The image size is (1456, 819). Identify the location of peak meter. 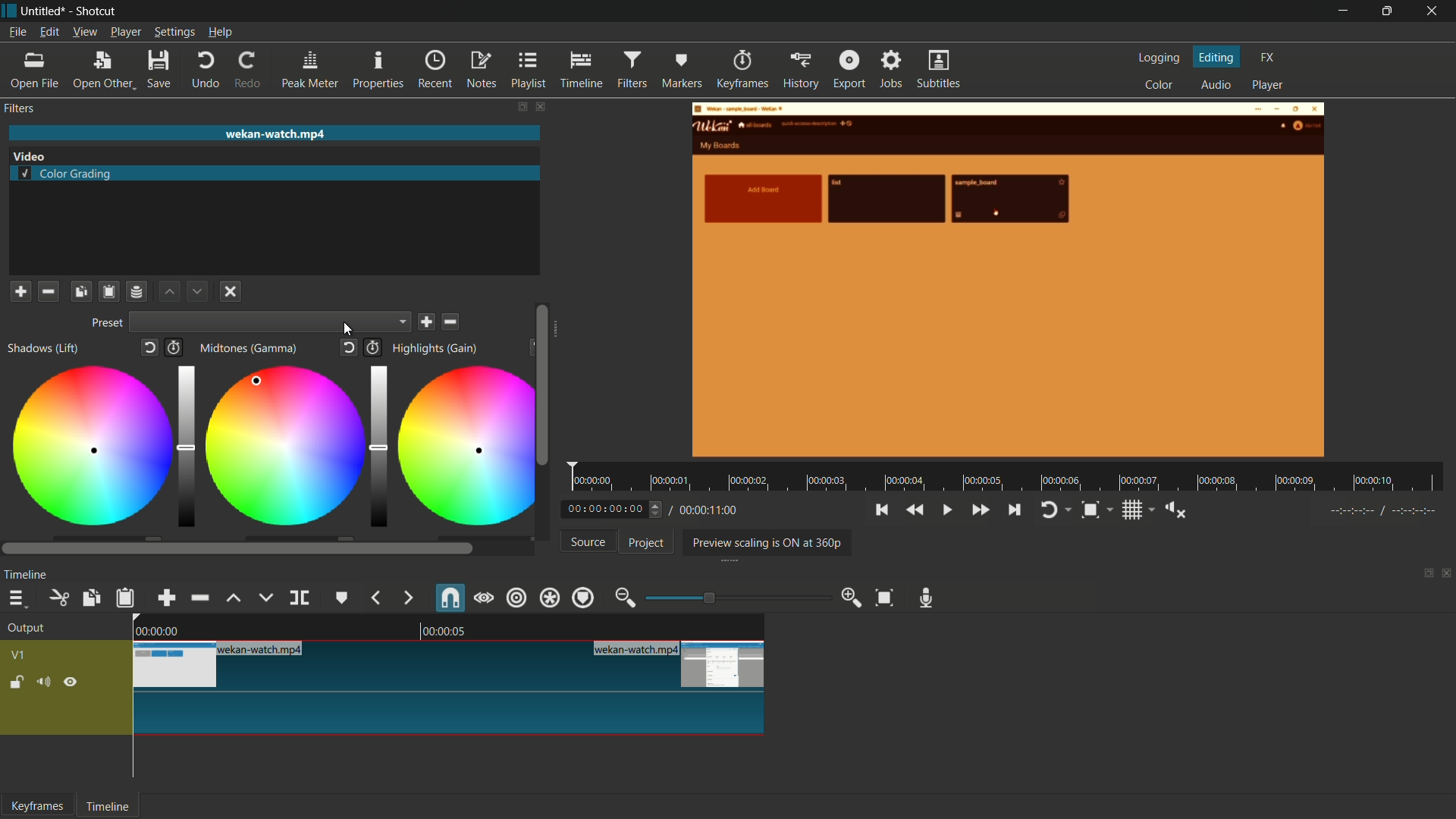
(312, 70).